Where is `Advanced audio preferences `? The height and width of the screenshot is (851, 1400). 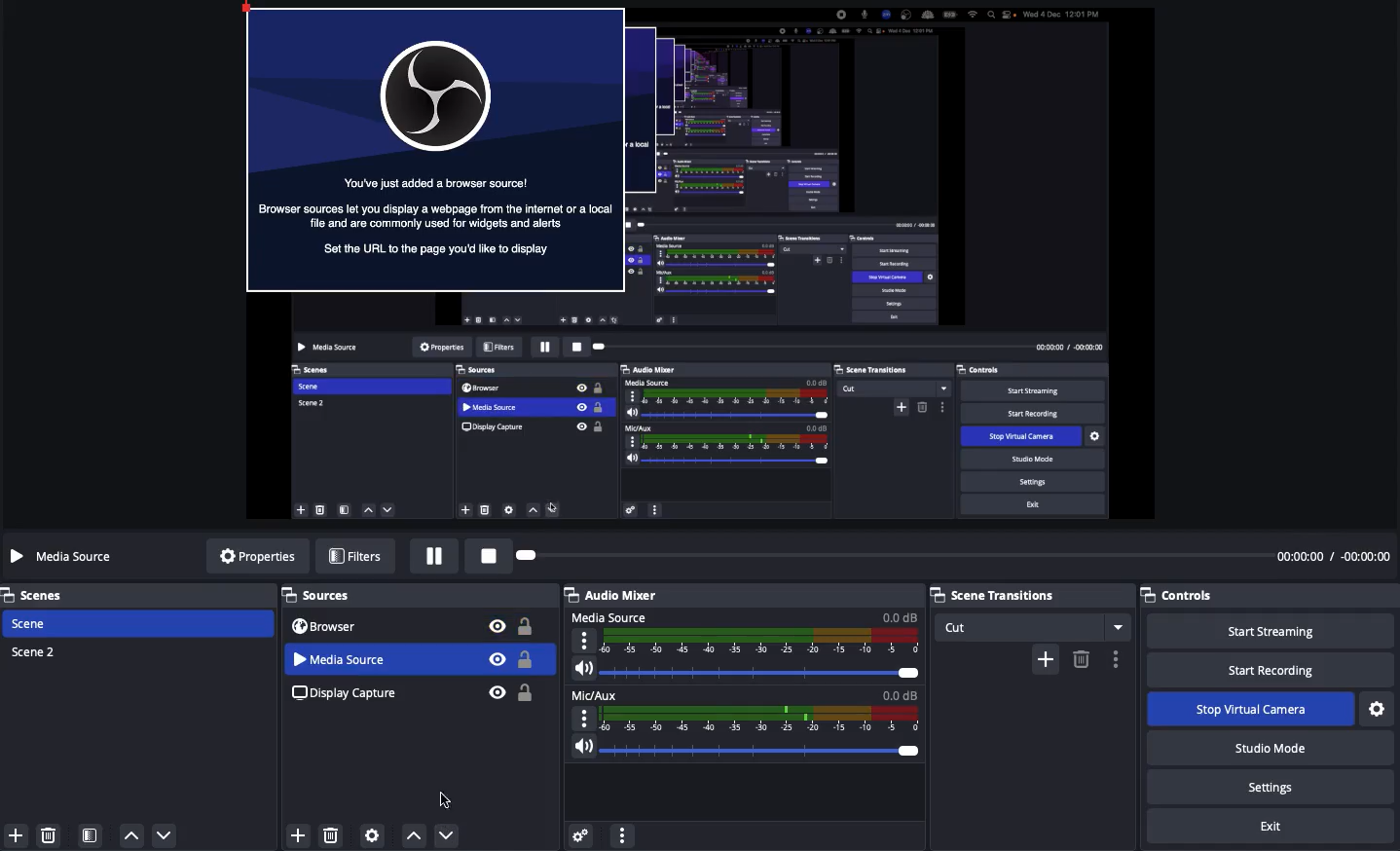
Advanced audio preferences  is located at coordinates (583, 837).